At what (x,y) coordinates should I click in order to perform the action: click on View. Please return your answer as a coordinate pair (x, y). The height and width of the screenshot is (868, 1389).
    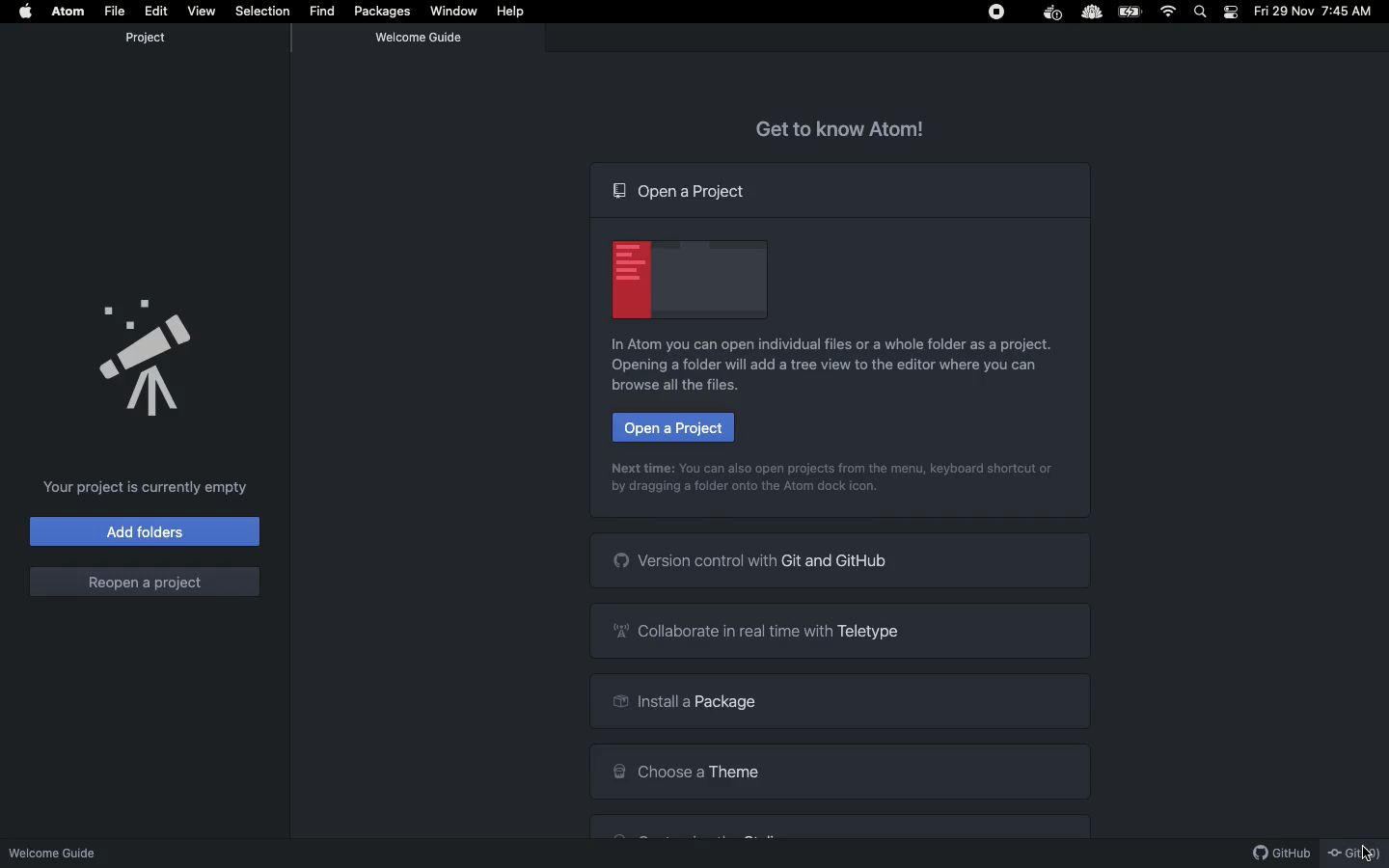
    Looking at the image, I should click on (201, 10).